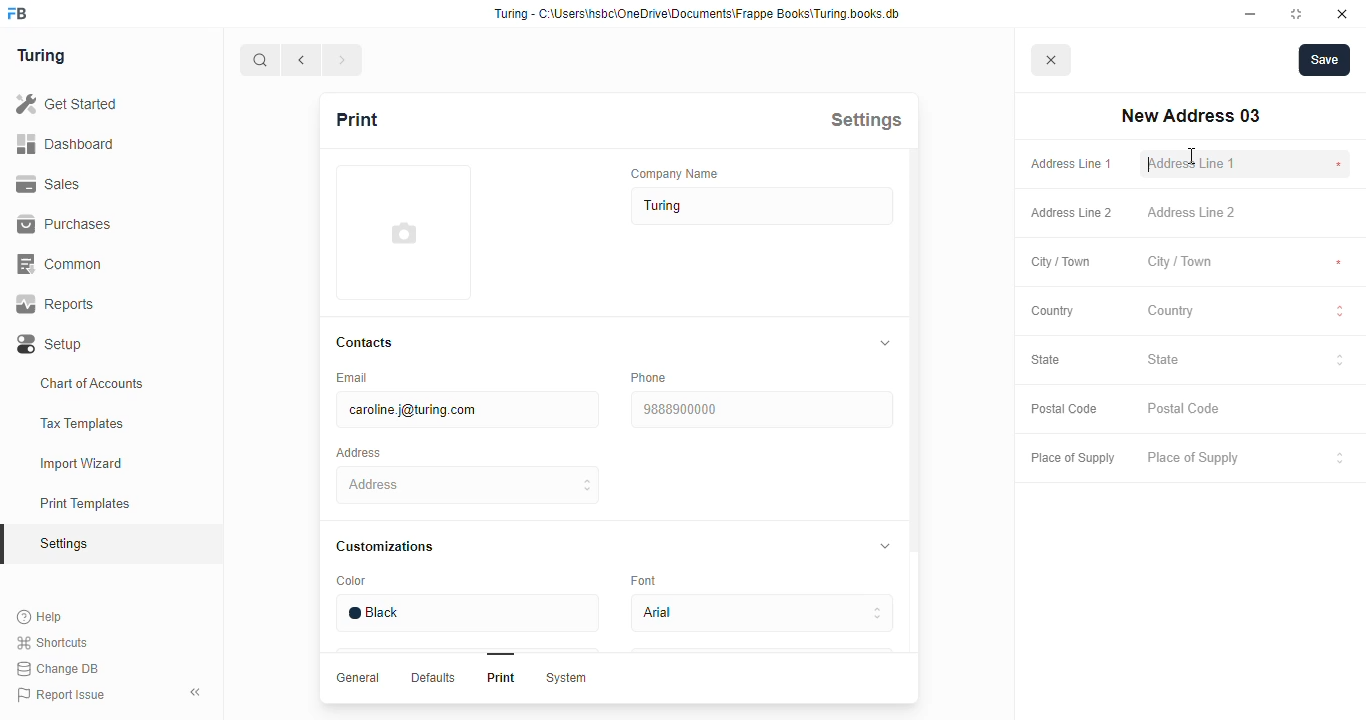 Image resolution: width=1366 pixels, height=720 pixels. I want to click on reports, so click(56, 304).